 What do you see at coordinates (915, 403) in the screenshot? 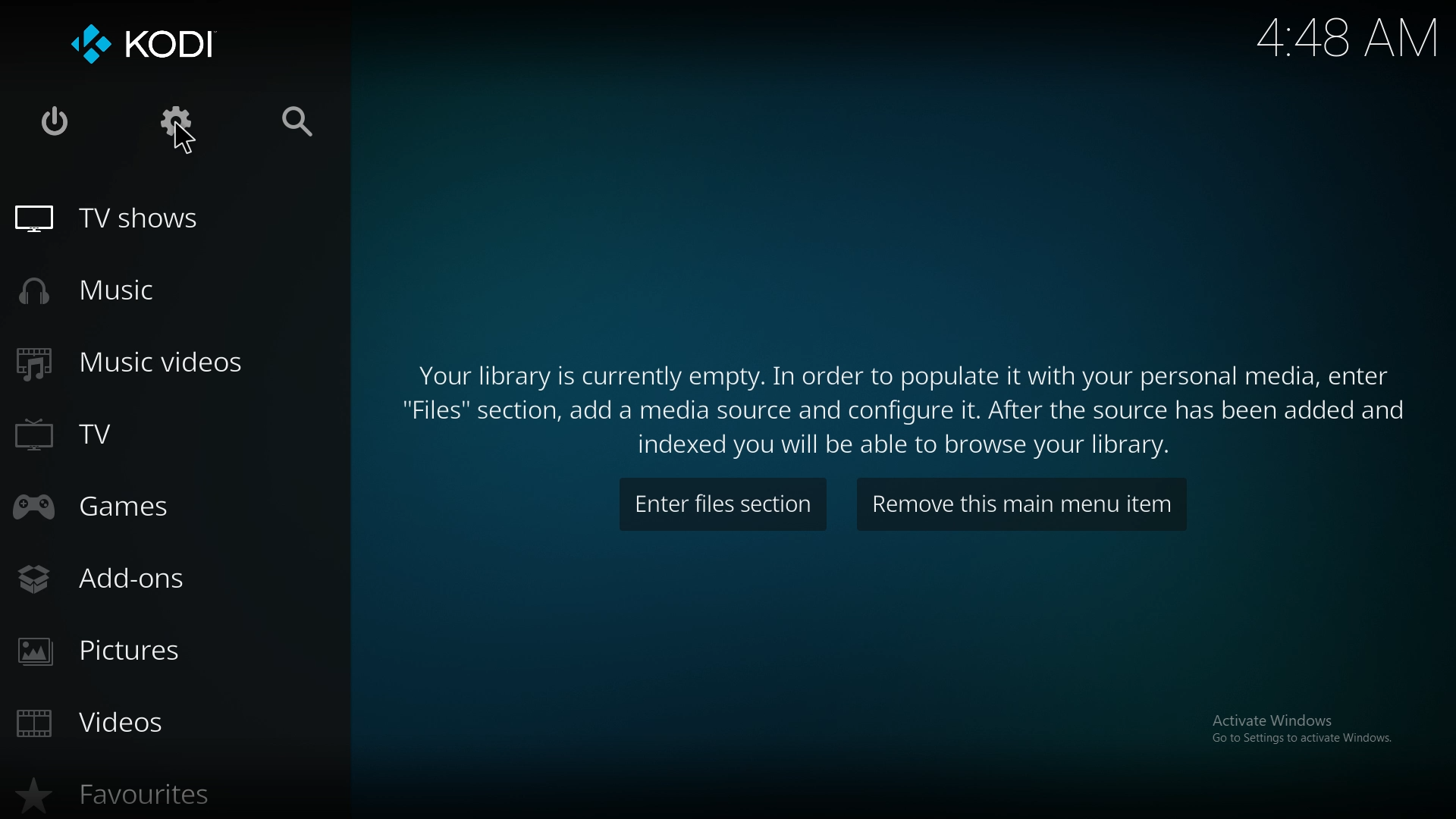
I see `info` at bounding box center [915, 403].